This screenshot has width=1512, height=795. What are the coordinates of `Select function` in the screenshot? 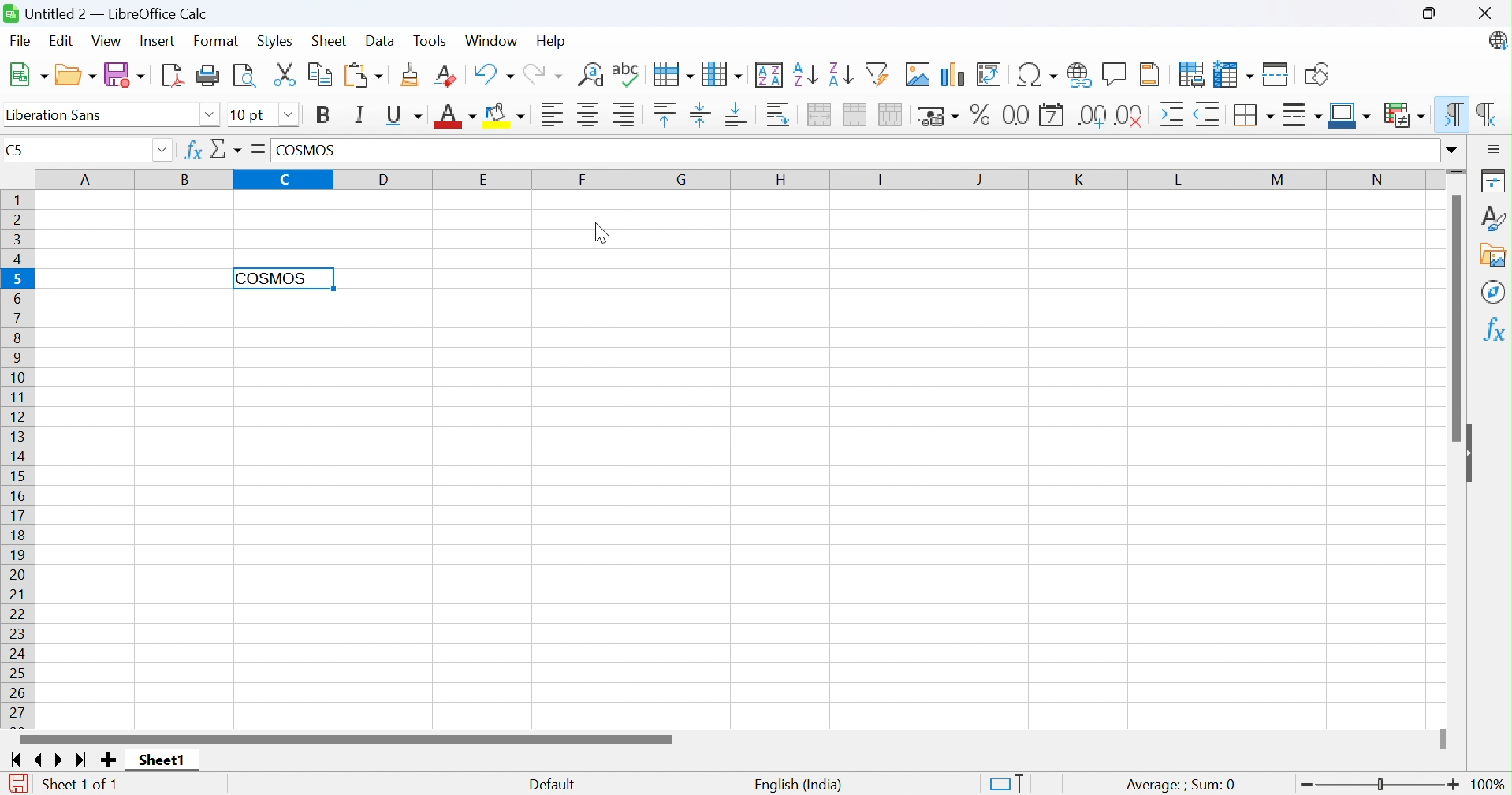 It's located at (226, 148).